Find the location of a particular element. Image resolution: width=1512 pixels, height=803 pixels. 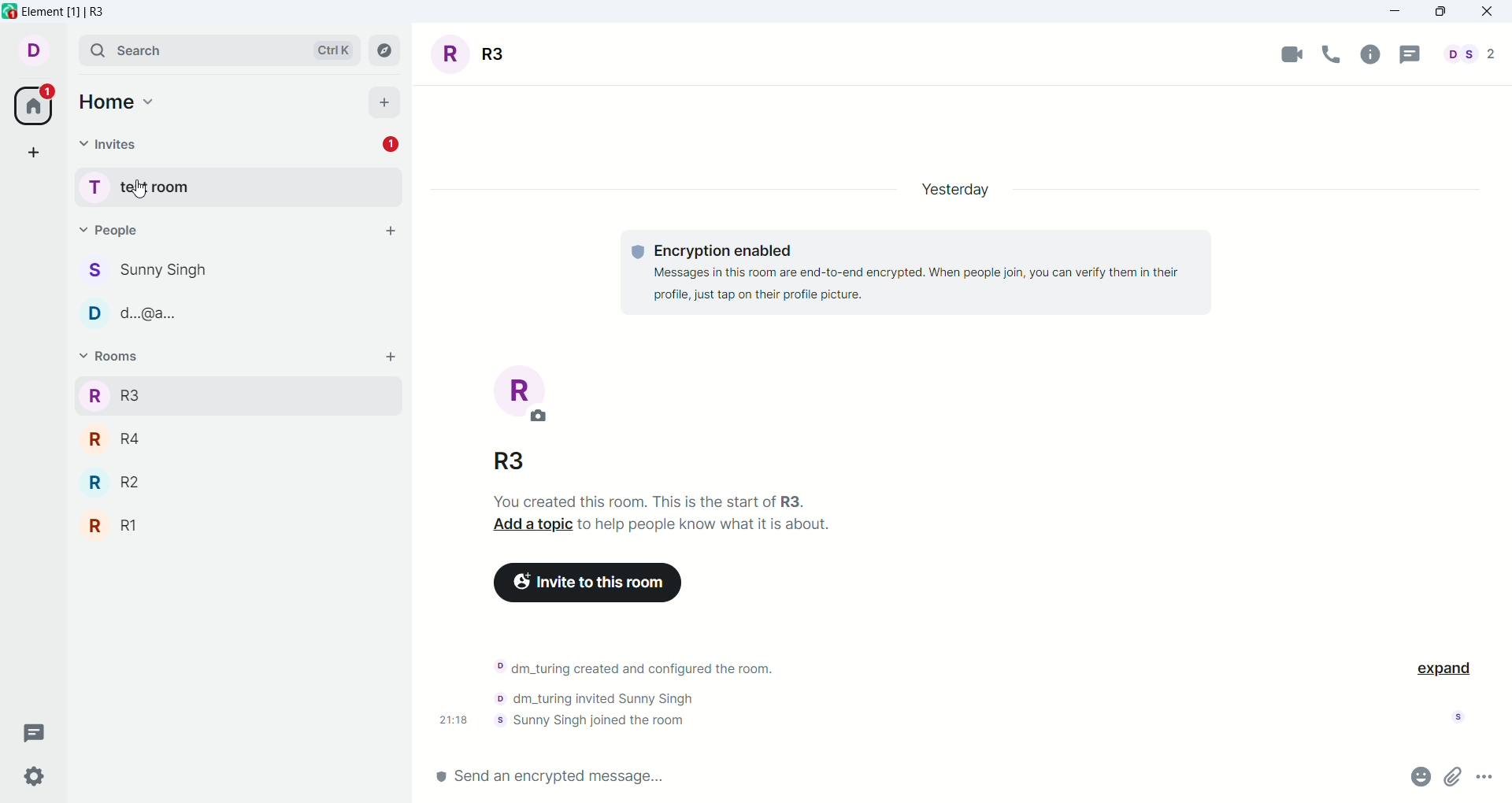

emoji is located at coordinates (1419, 777).